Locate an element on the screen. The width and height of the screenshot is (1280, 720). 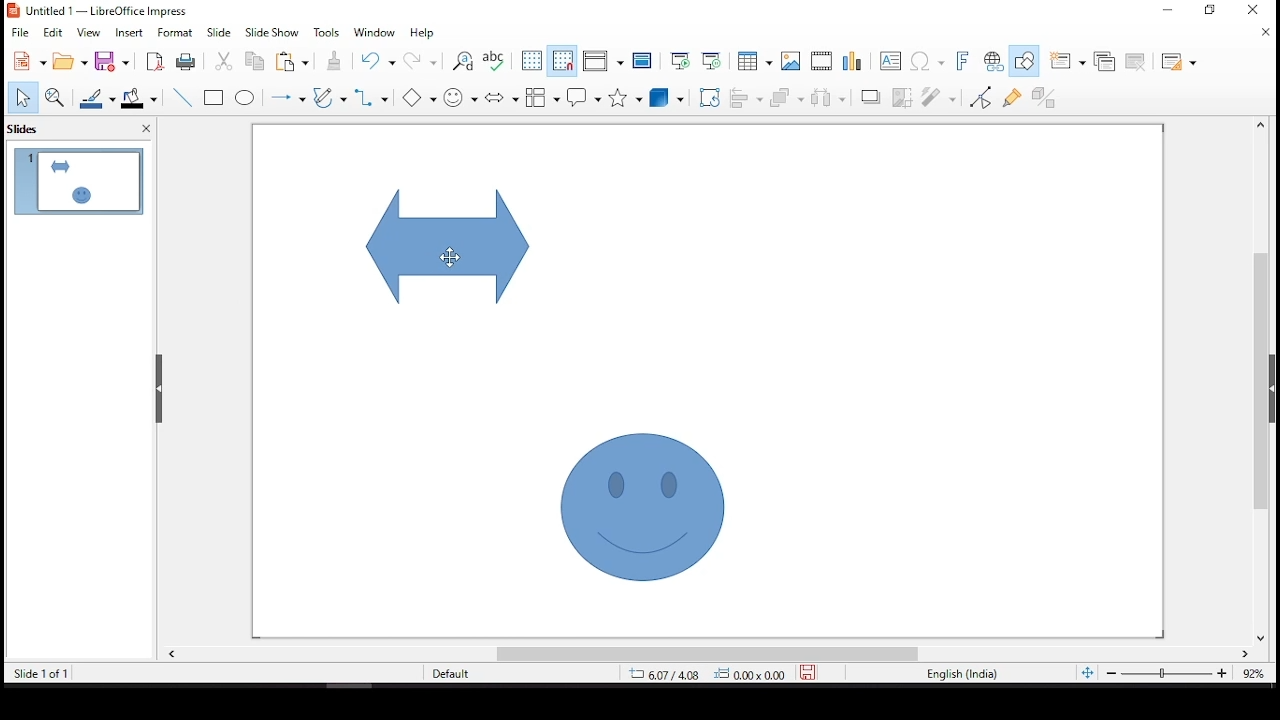
display views is located at coordinates (603, 61).